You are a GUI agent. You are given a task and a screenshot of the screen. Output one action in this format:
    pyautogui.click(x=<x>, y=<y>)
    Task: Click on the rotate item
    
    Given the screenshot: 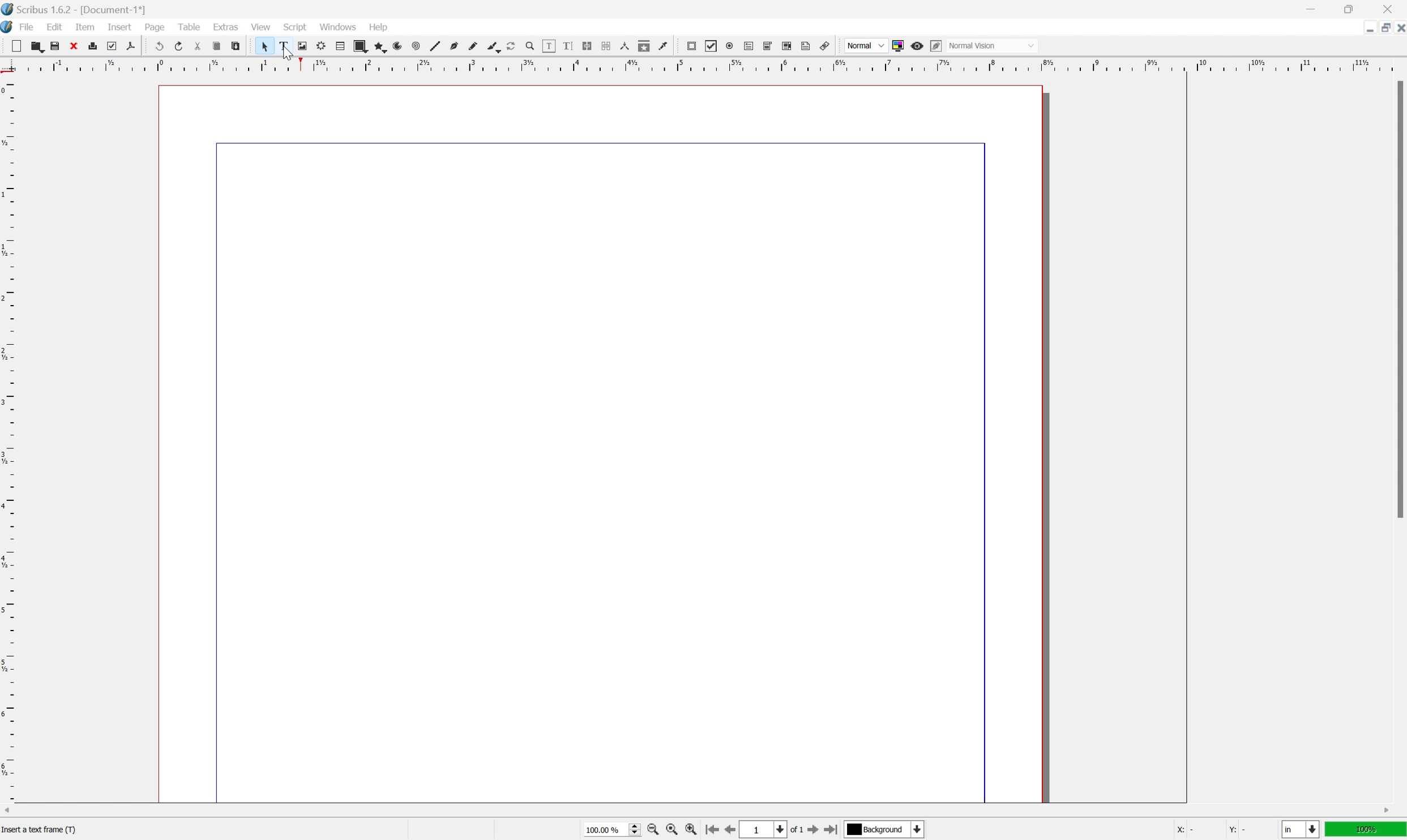 What is the action you would take?
    pyautogui.click(x=511, y=46)
    